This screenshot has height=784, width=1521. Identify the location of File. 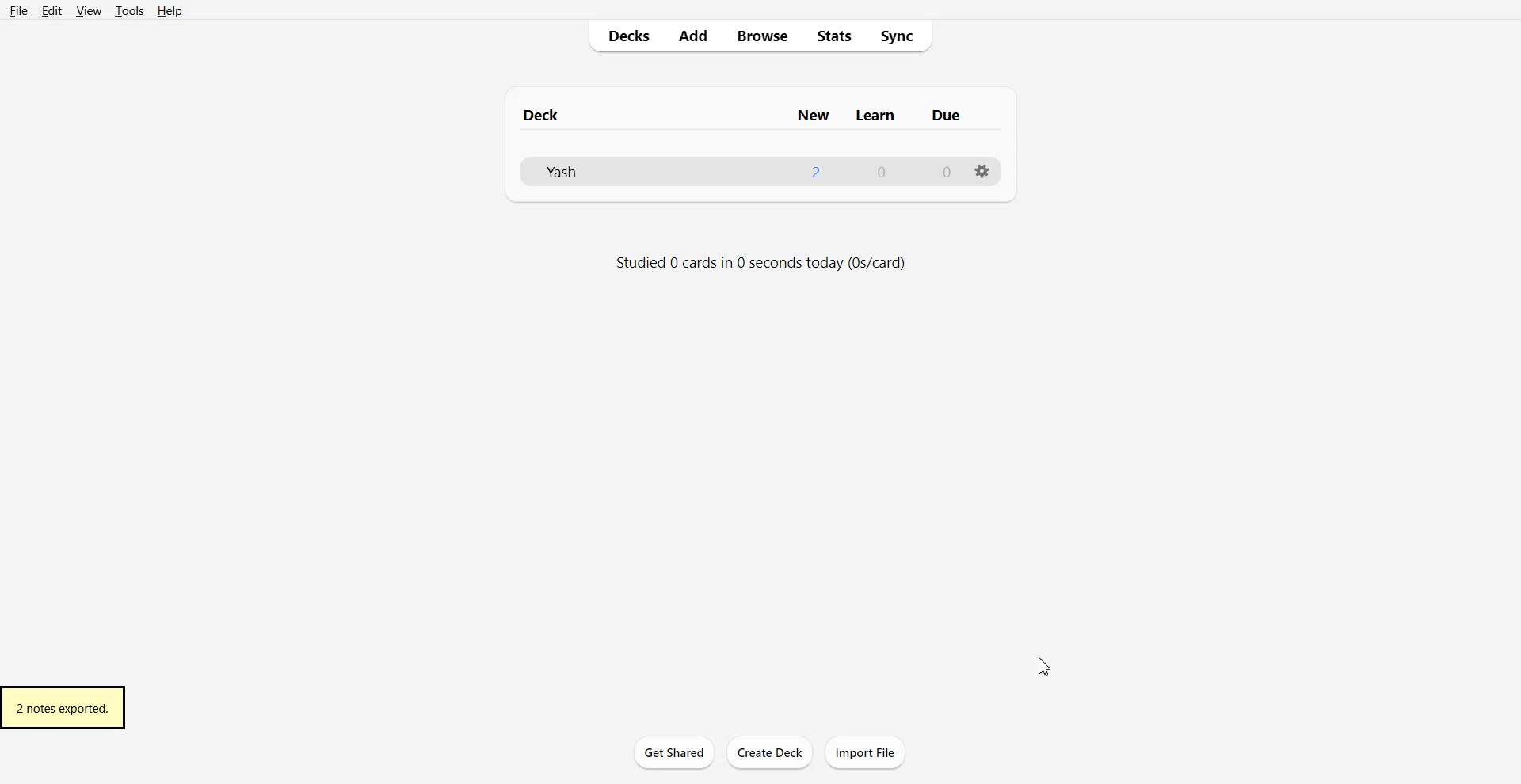
(19, 12).